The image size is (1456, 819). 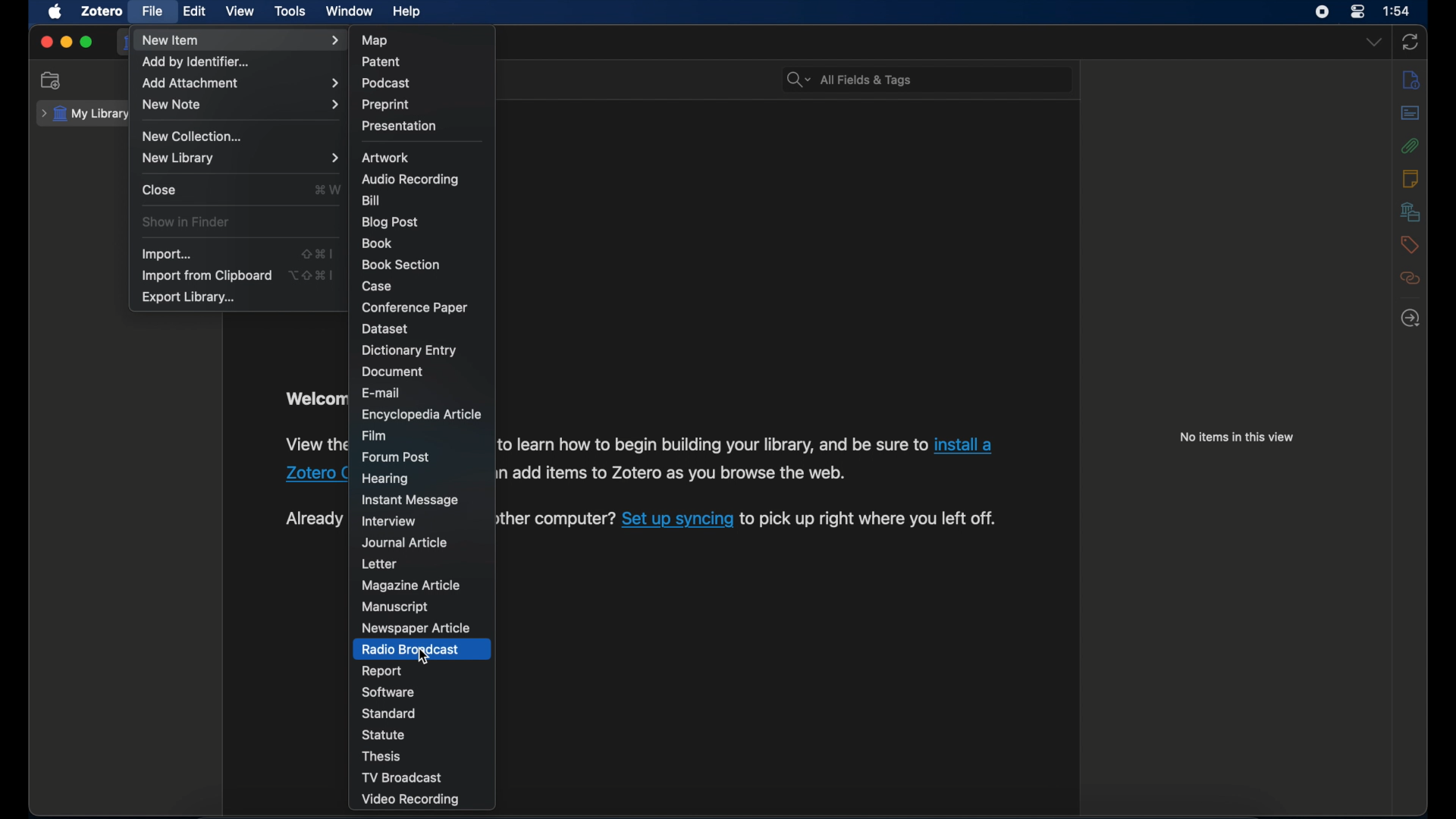 What do you see at coordinates (409, 649) in the screenshot?
I see `radio broadcast` at bounding box center [409, 649].